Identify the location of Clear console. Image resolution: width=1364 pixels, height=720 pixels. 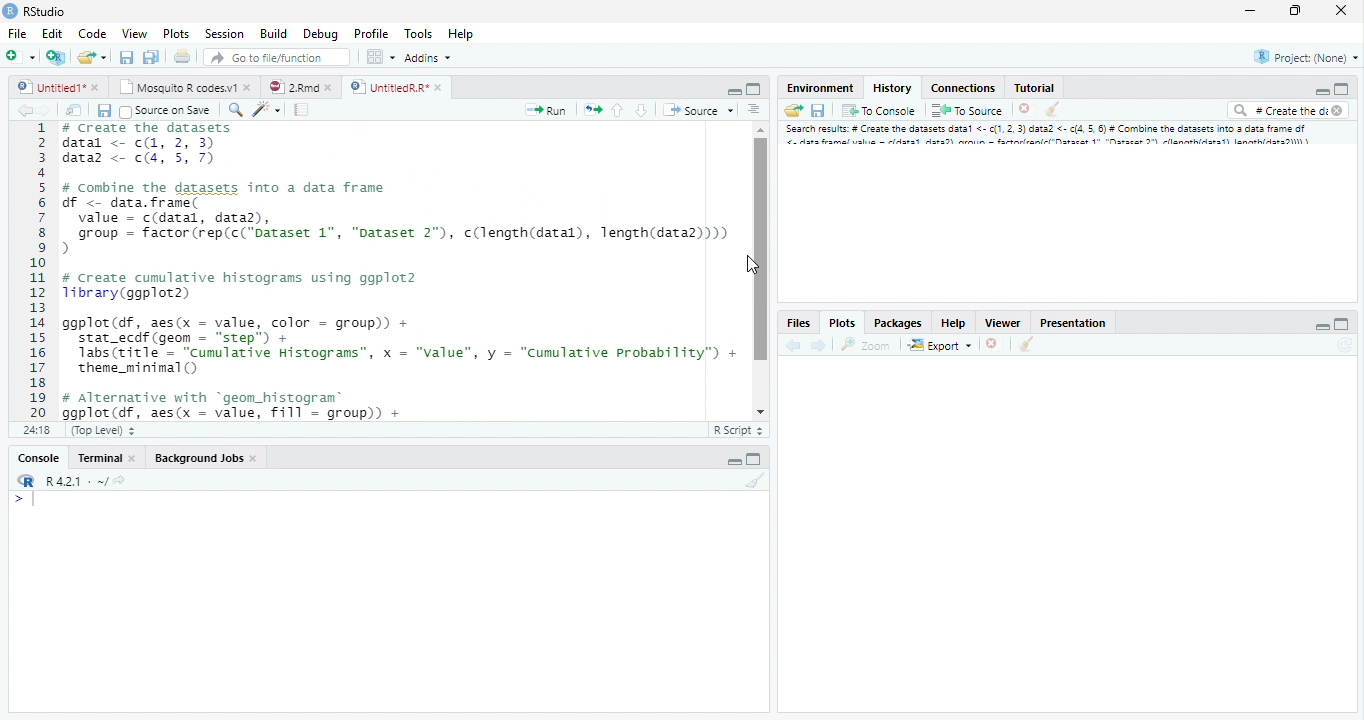
(1029, 346).